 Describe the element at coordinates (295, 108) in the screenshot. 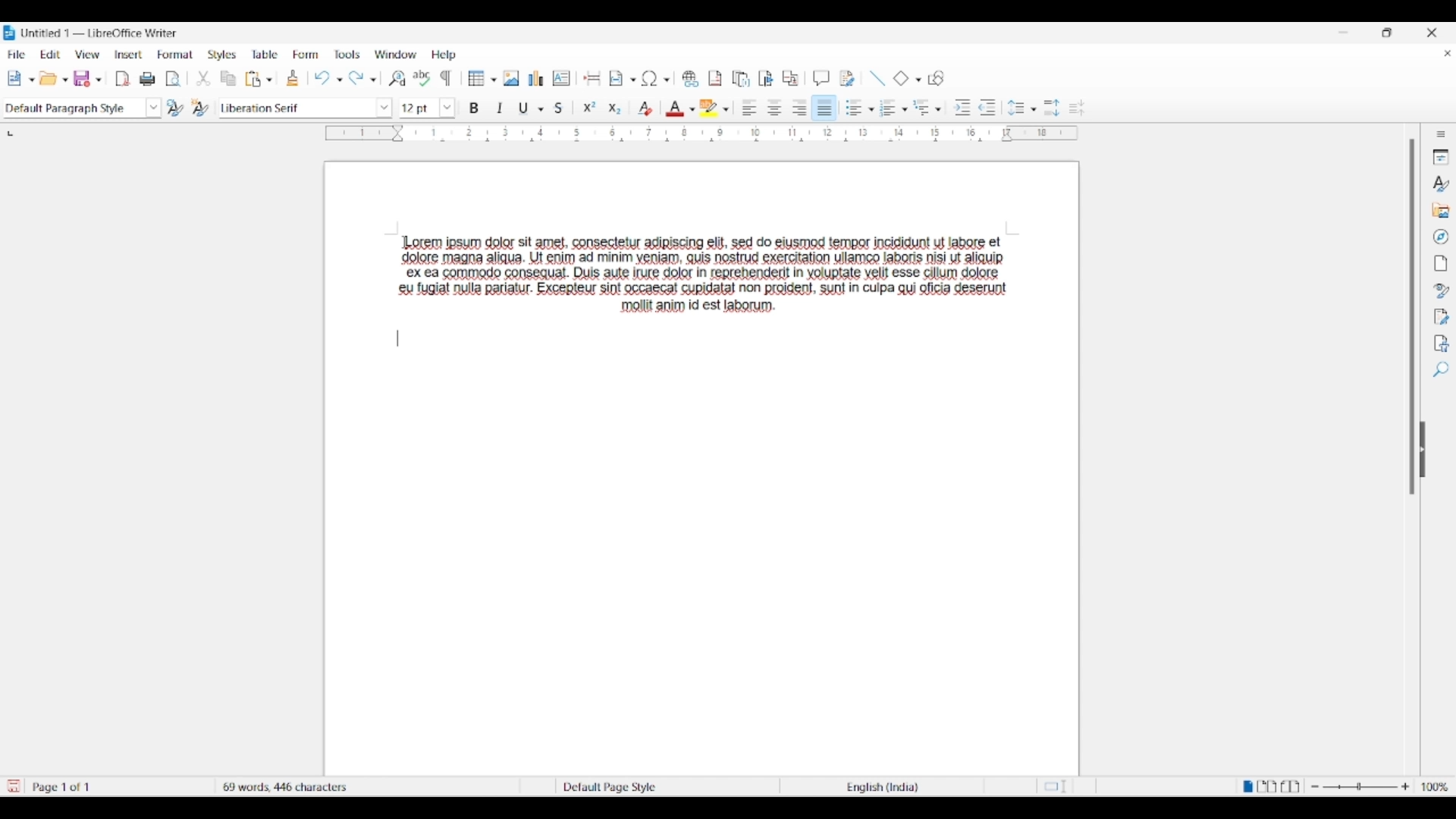

I see `Manually change font` at that location.